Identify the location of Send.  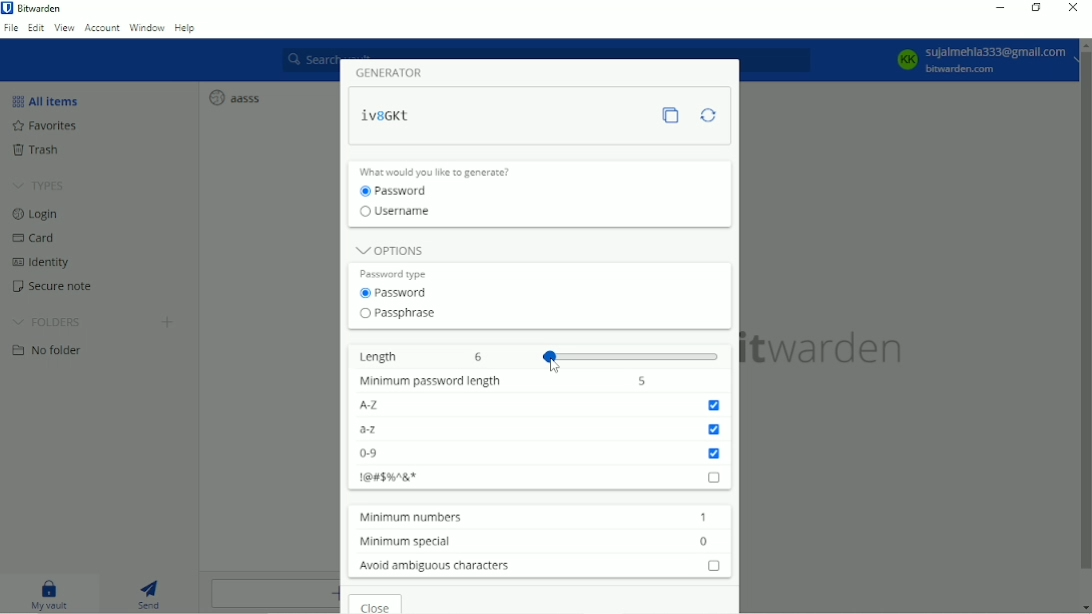
(152, 593).